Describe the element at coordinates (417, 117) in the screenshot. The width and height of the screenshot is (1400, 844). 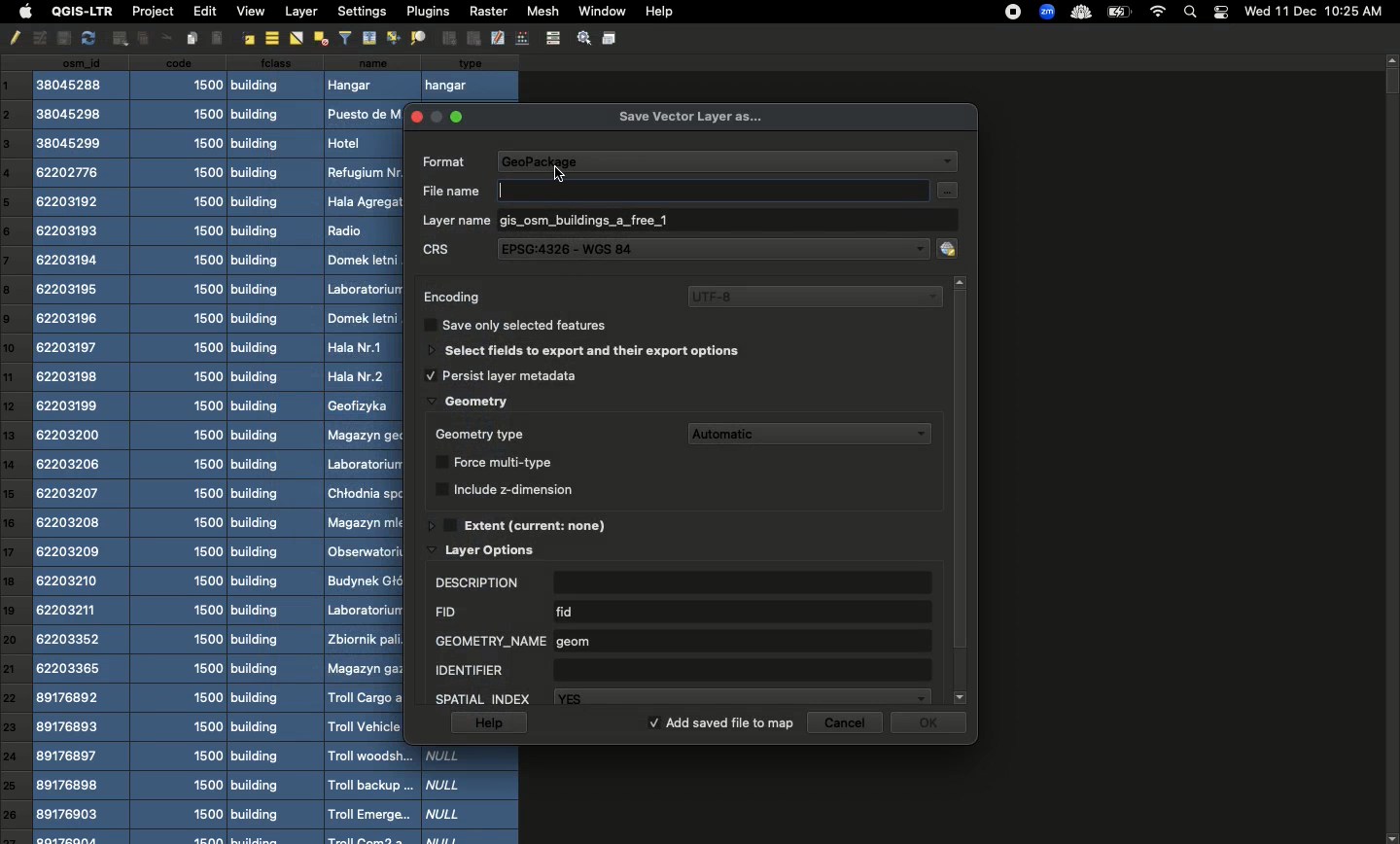
I see `close` at that location.